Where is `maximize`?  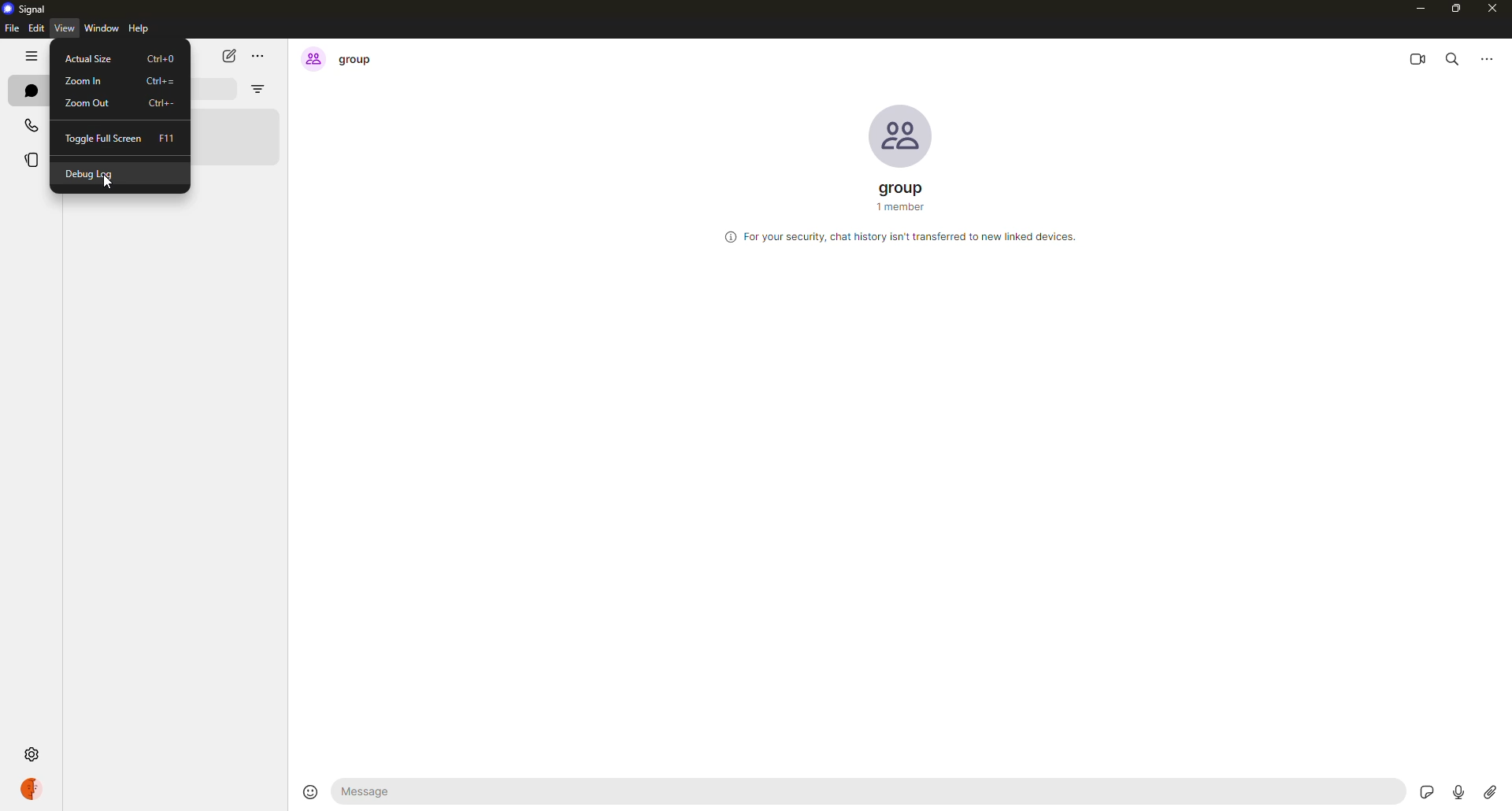 maximize is located at coordinates (1456, 10).